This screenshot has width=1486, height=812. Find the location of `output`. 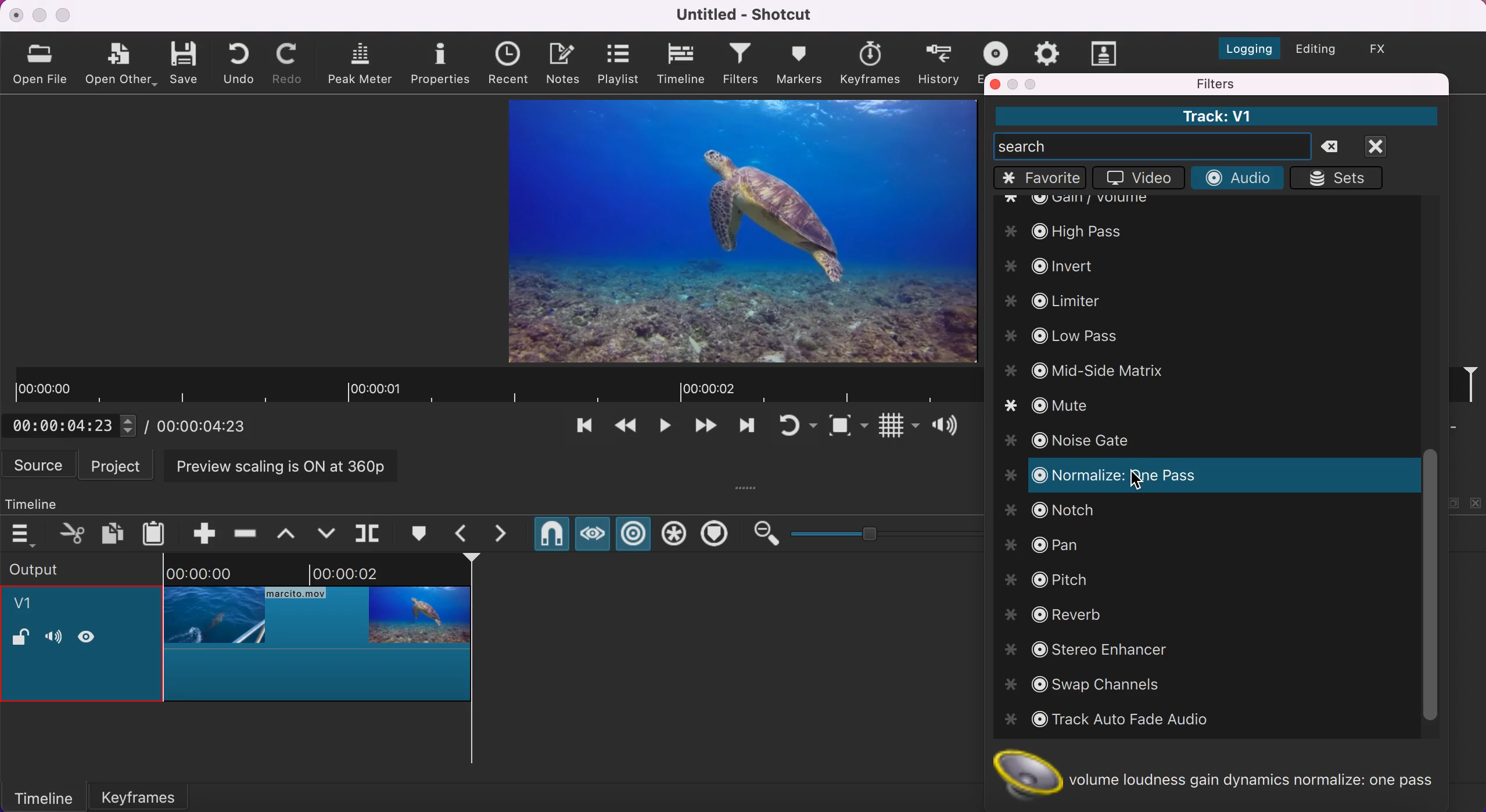

output is located at coordinates (65, 568).